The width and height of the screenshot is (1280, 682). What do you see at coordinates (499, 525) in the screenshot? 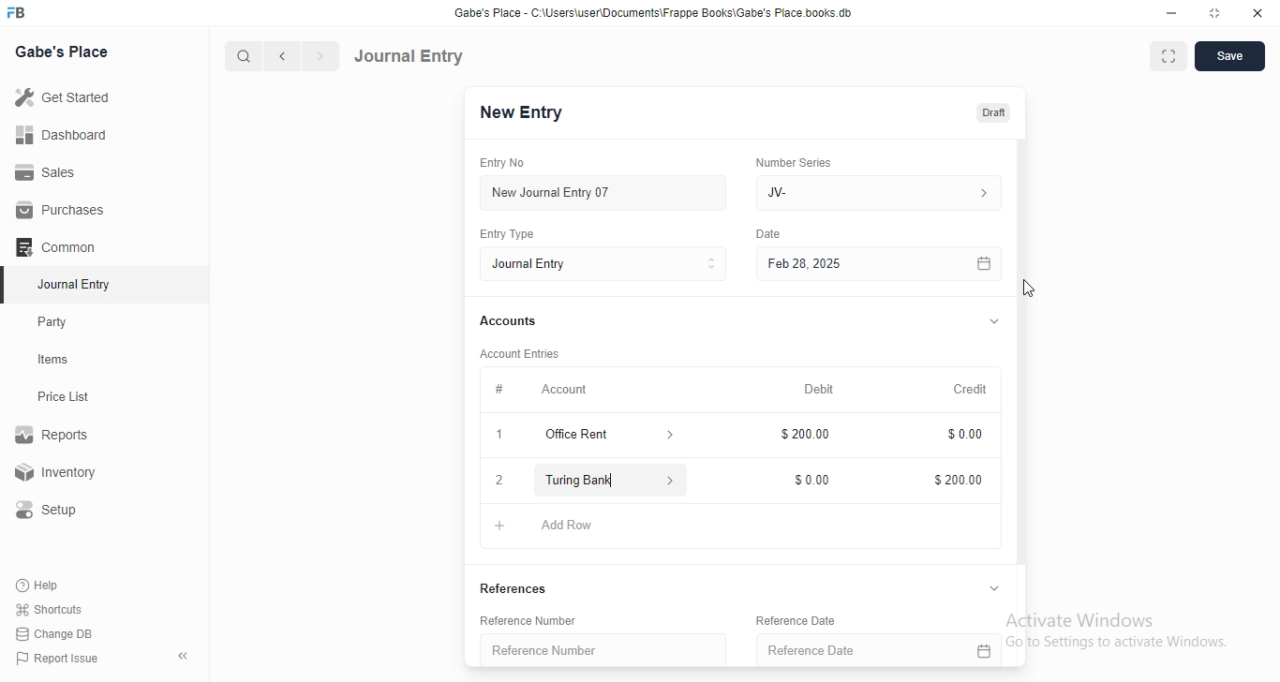
I see `+ Add row` at bounding box center [499, 525].